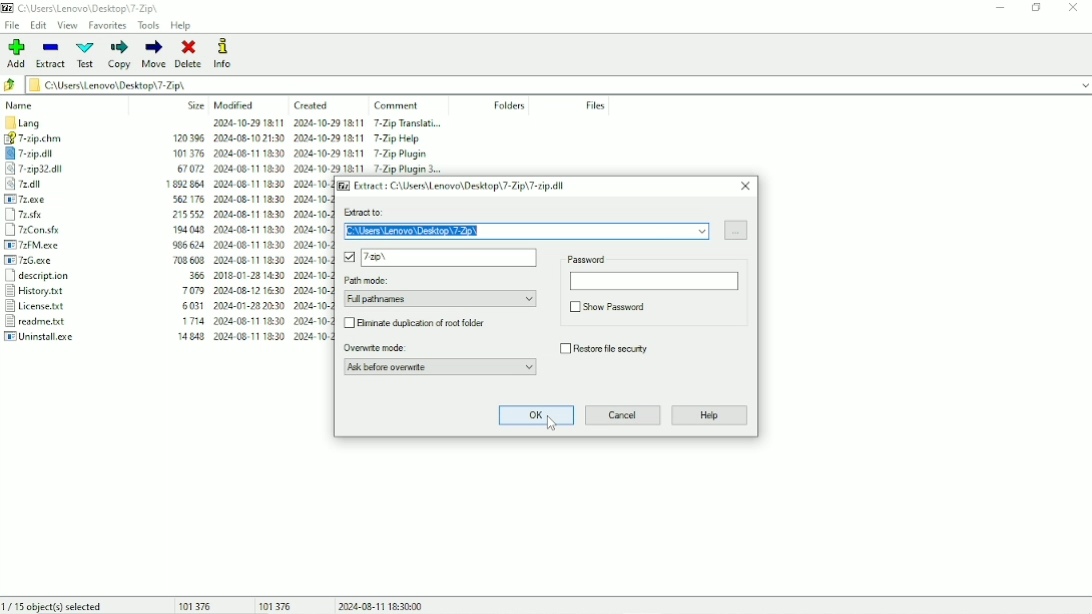  What do you see at coordinates (275, 605) in the screenshot?
I see `101 376` at bounding box center [275, 605].